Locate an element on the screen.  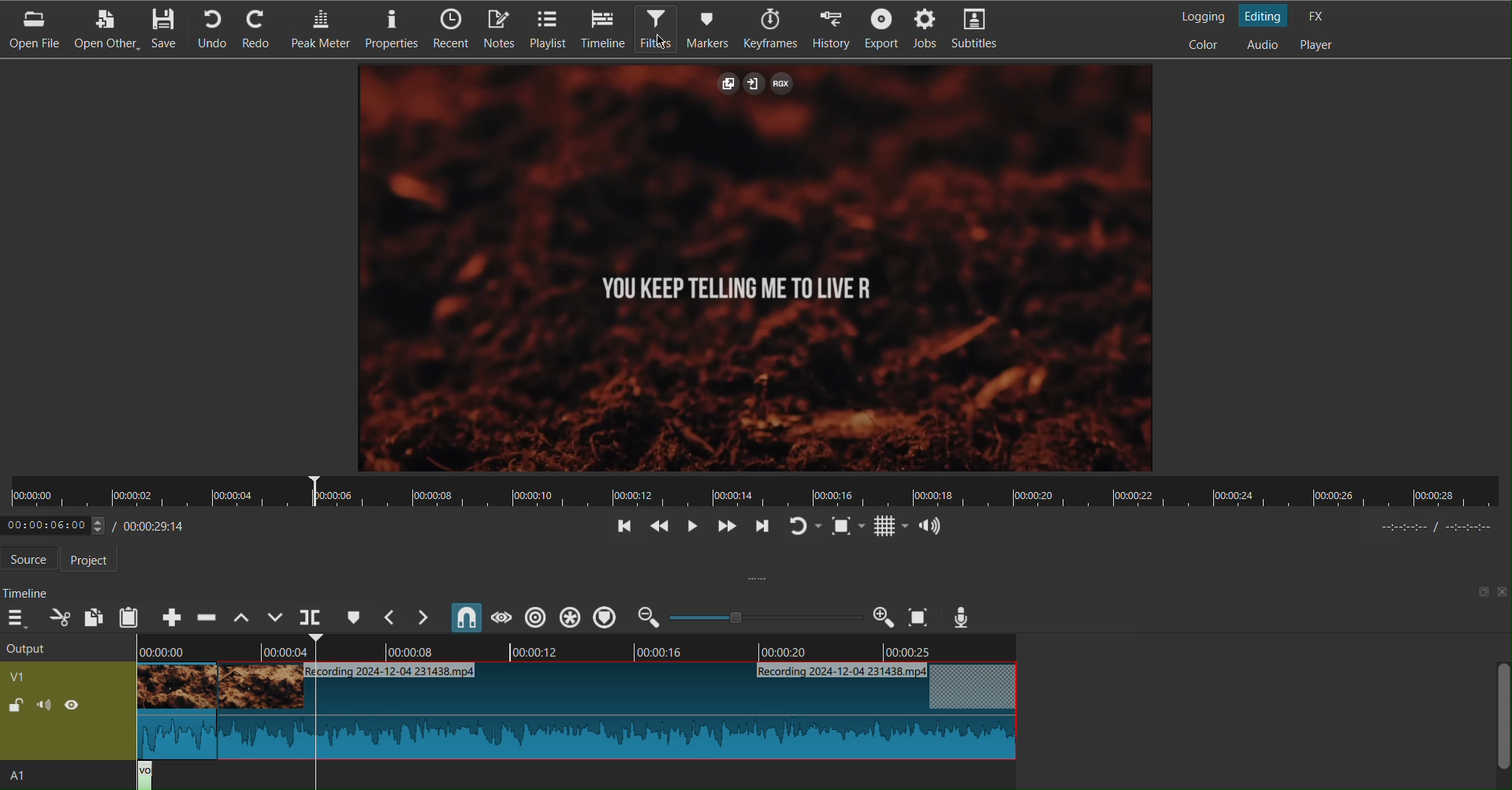
time is located at coordinates (1432, 528).